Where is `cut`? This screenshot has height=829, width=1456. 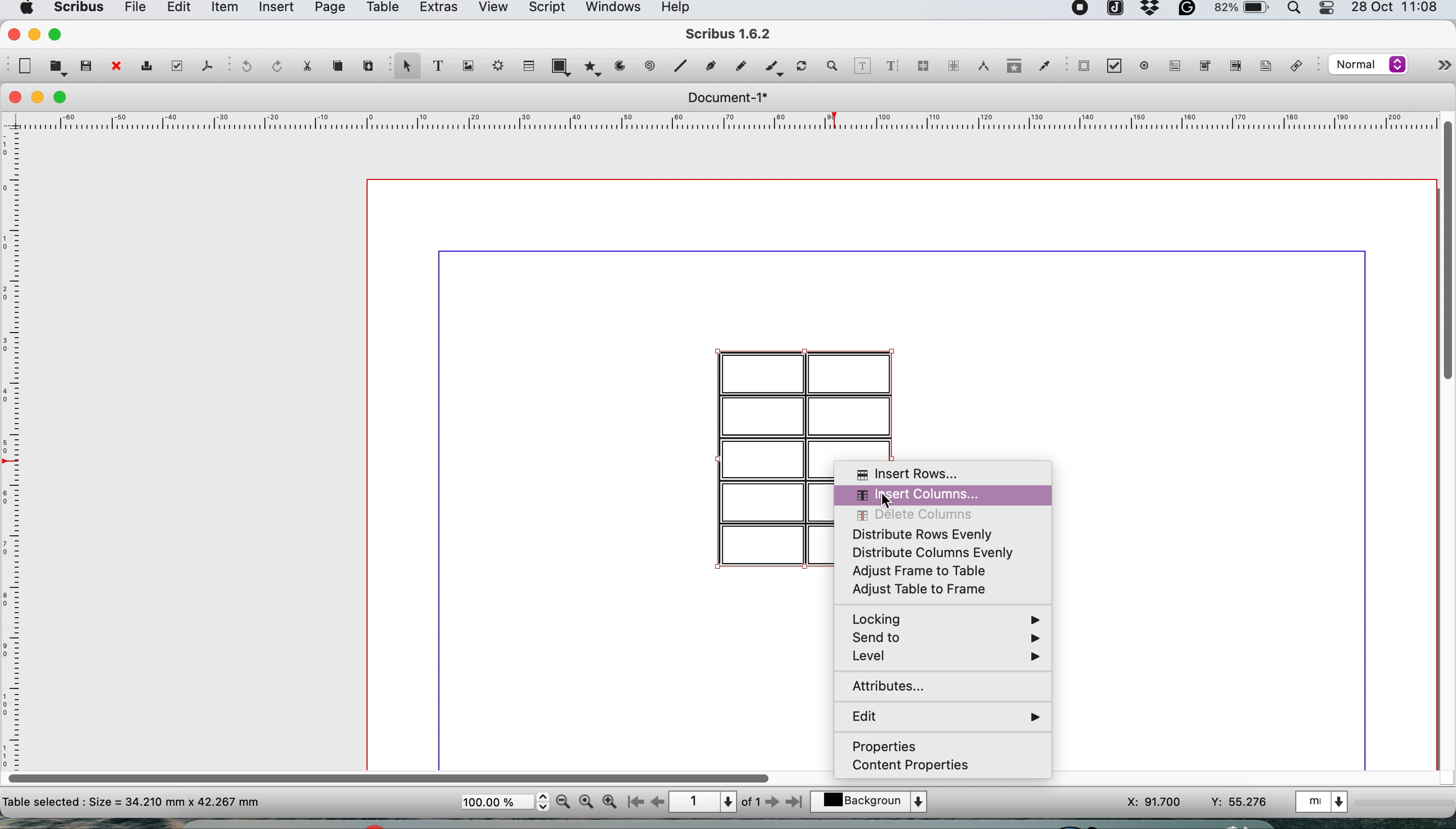 cut is located at coordinates (306, 65).